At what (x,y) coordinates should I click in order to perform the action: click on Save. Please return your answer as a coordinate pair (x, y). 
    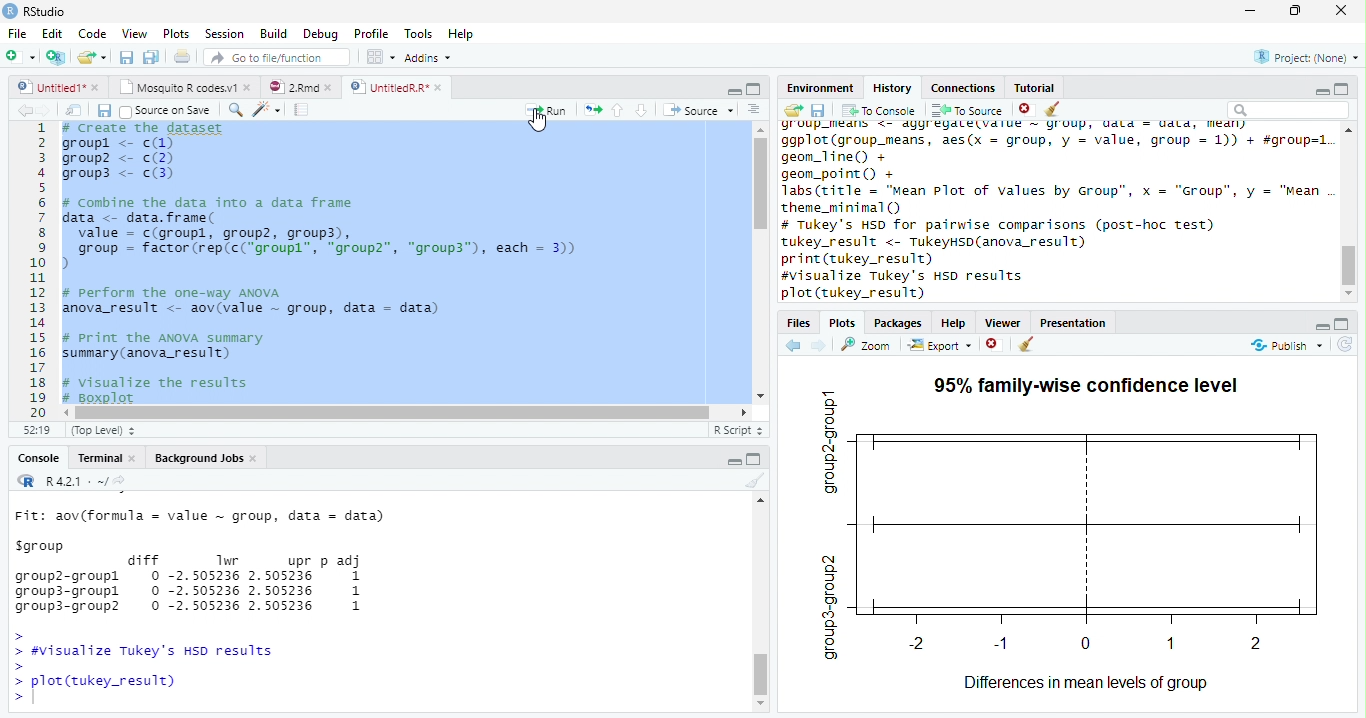
    Looking at the image, I should click on (128, 58).